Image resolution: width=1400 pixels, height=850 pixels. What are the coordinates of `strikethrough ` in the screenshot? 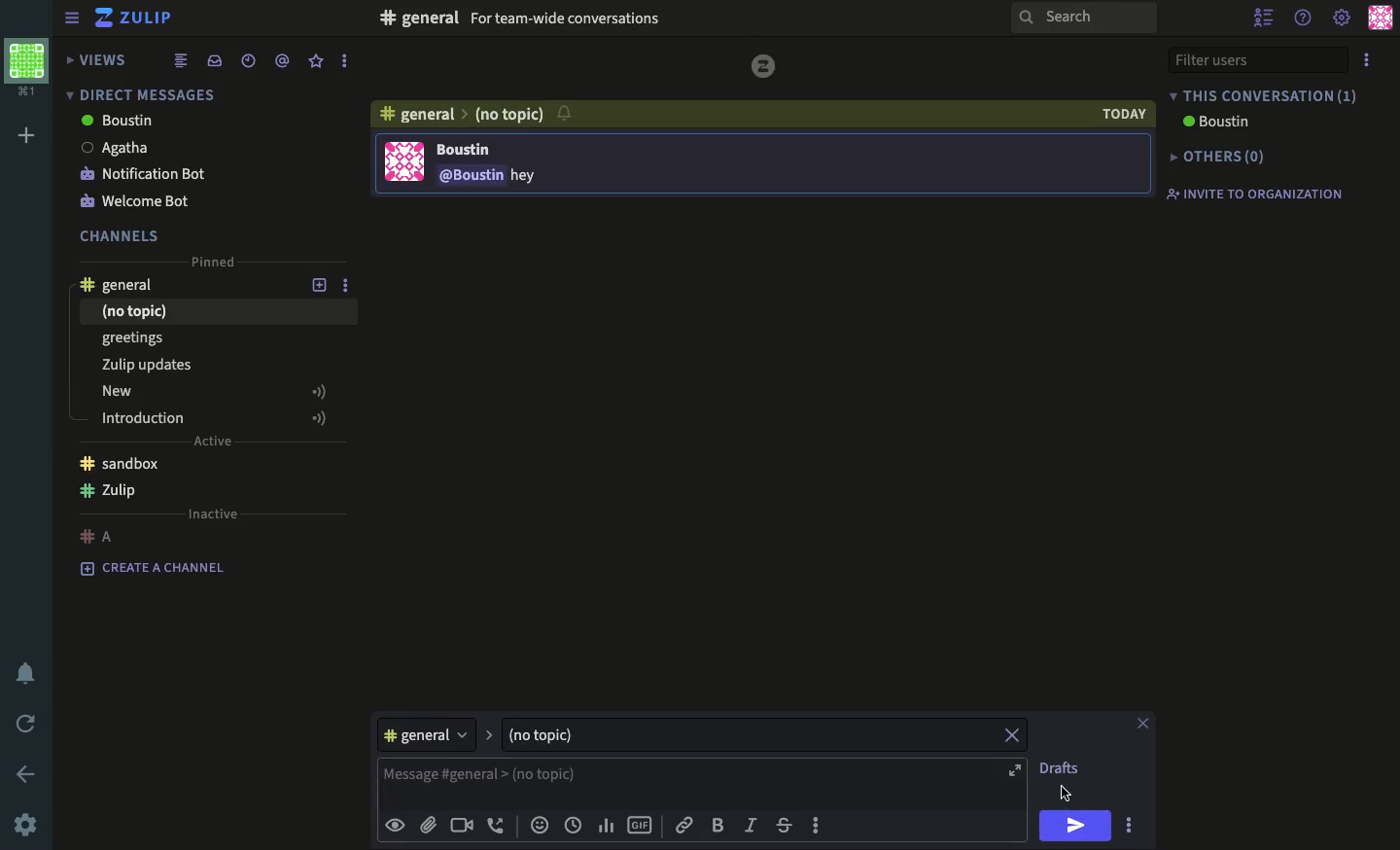 It's located at (785, 826).